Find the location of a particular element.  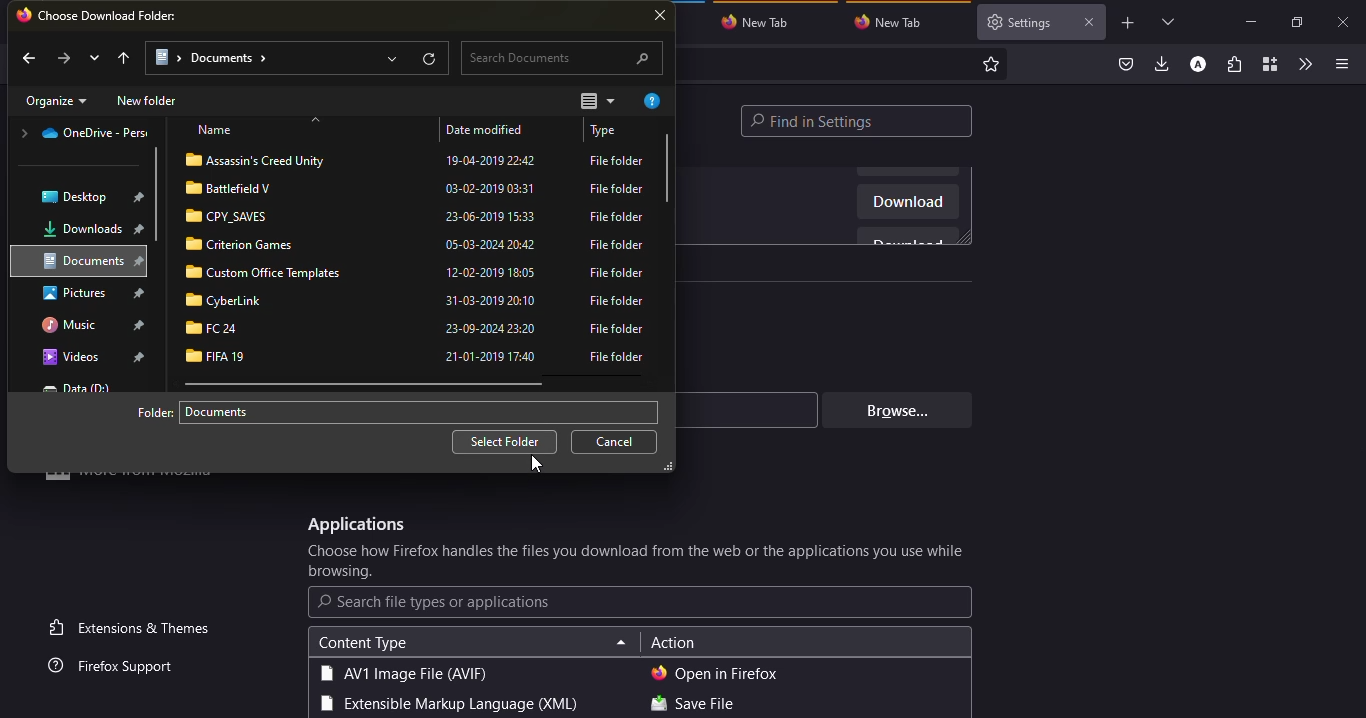

organize is located at coordinates (56, 102).